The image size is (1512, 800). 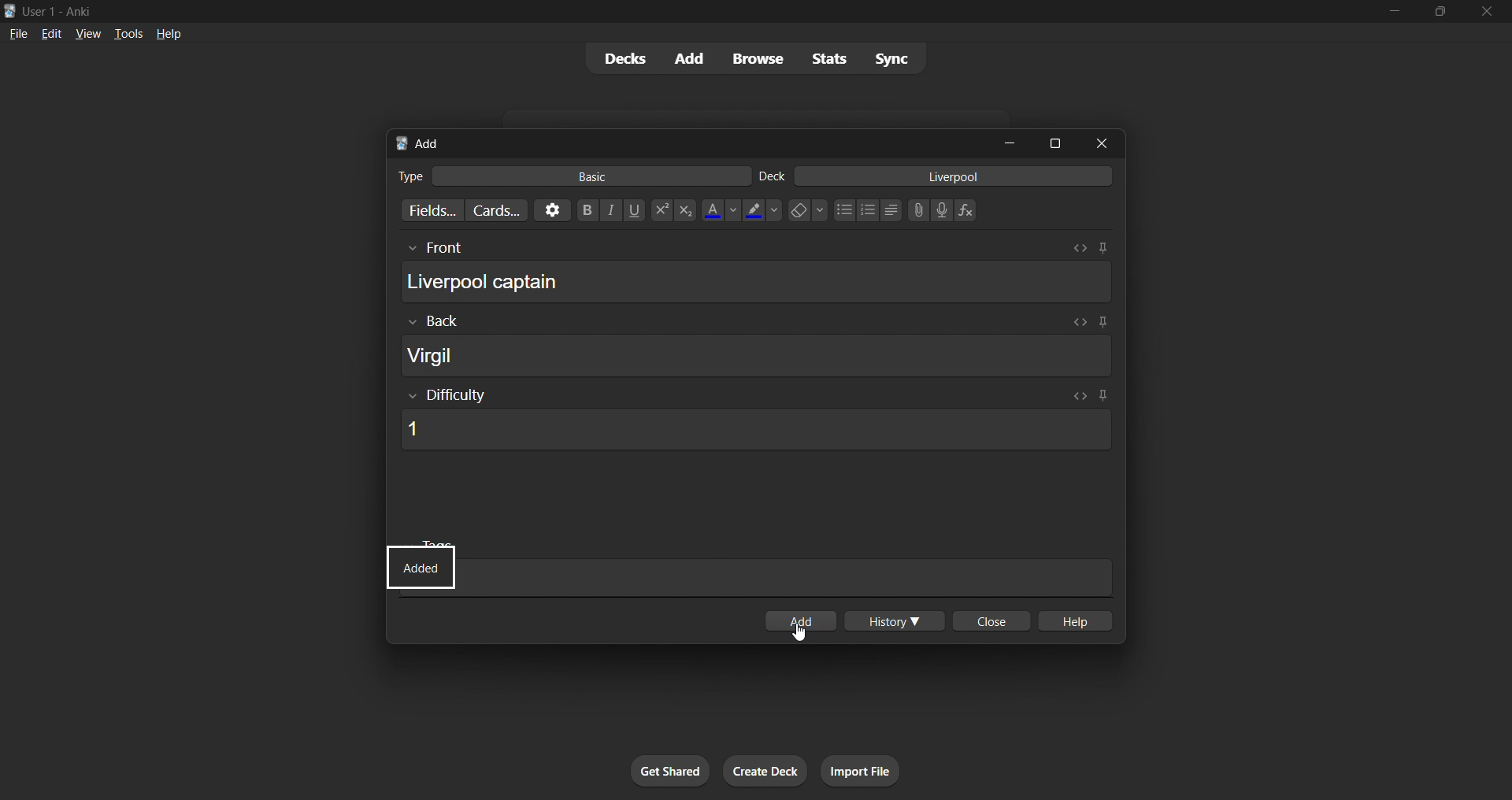 I want to click on Record audio, so click(x=942, y=210).